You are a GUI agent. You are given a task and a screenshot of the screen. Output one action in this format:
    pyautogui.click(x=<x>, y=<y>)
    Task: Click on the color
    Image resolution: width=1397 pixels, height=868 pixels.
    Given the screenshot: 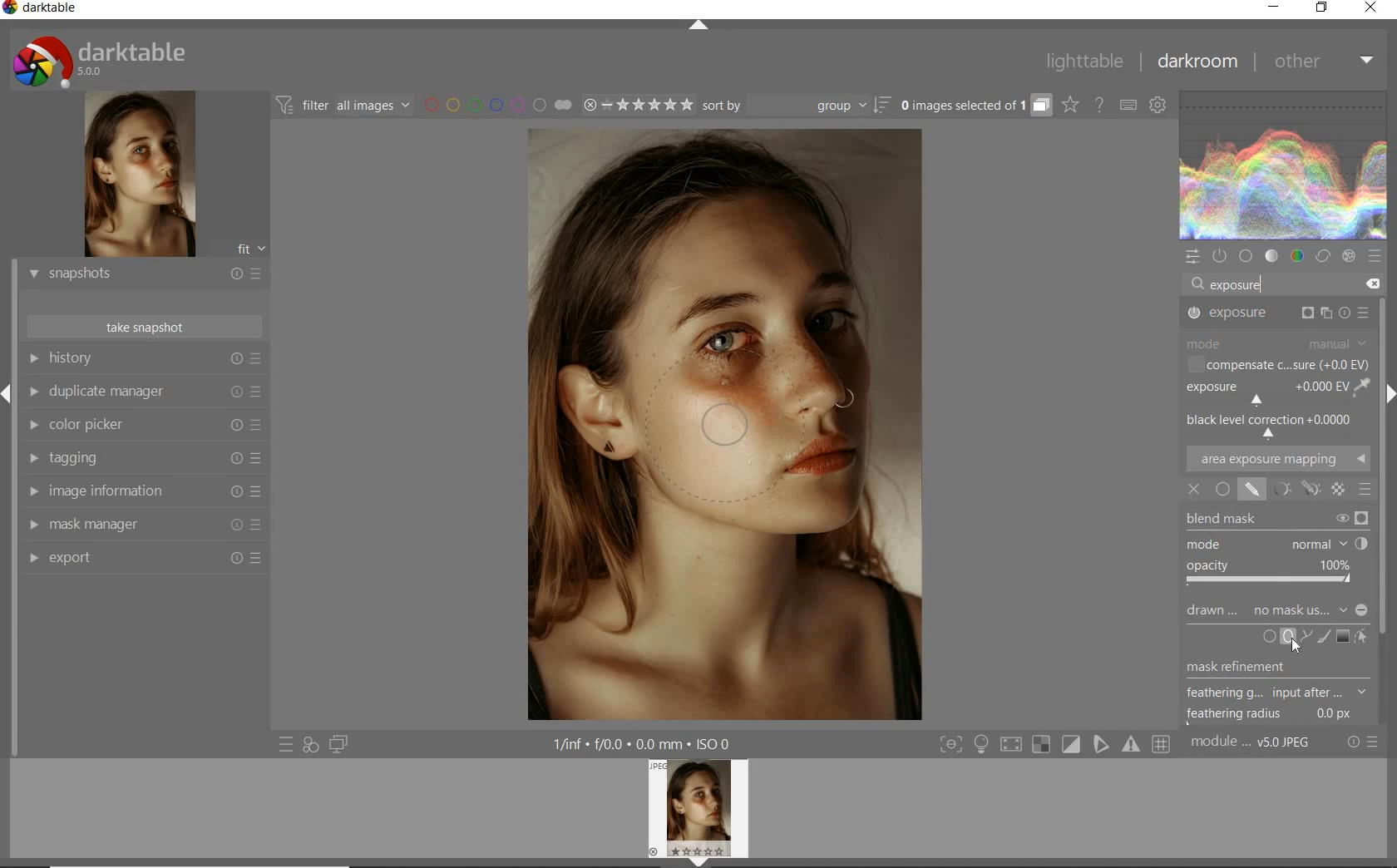 What is the action you would take?
    pyautogui.click(x=1298, y=255)
    